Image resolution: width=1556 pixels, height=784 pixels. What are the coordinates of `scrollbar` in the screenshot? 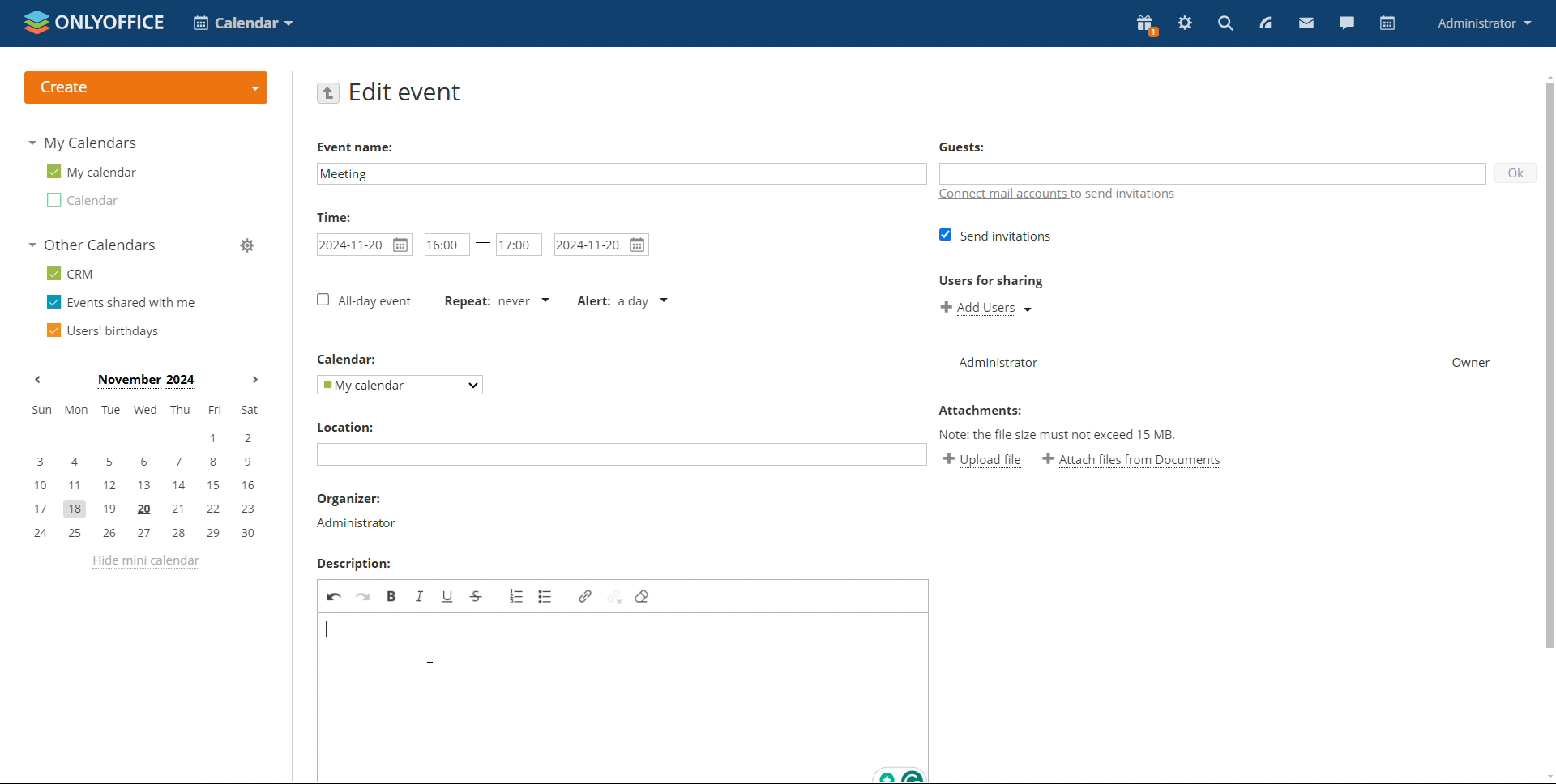 It's located at (1549, 365).